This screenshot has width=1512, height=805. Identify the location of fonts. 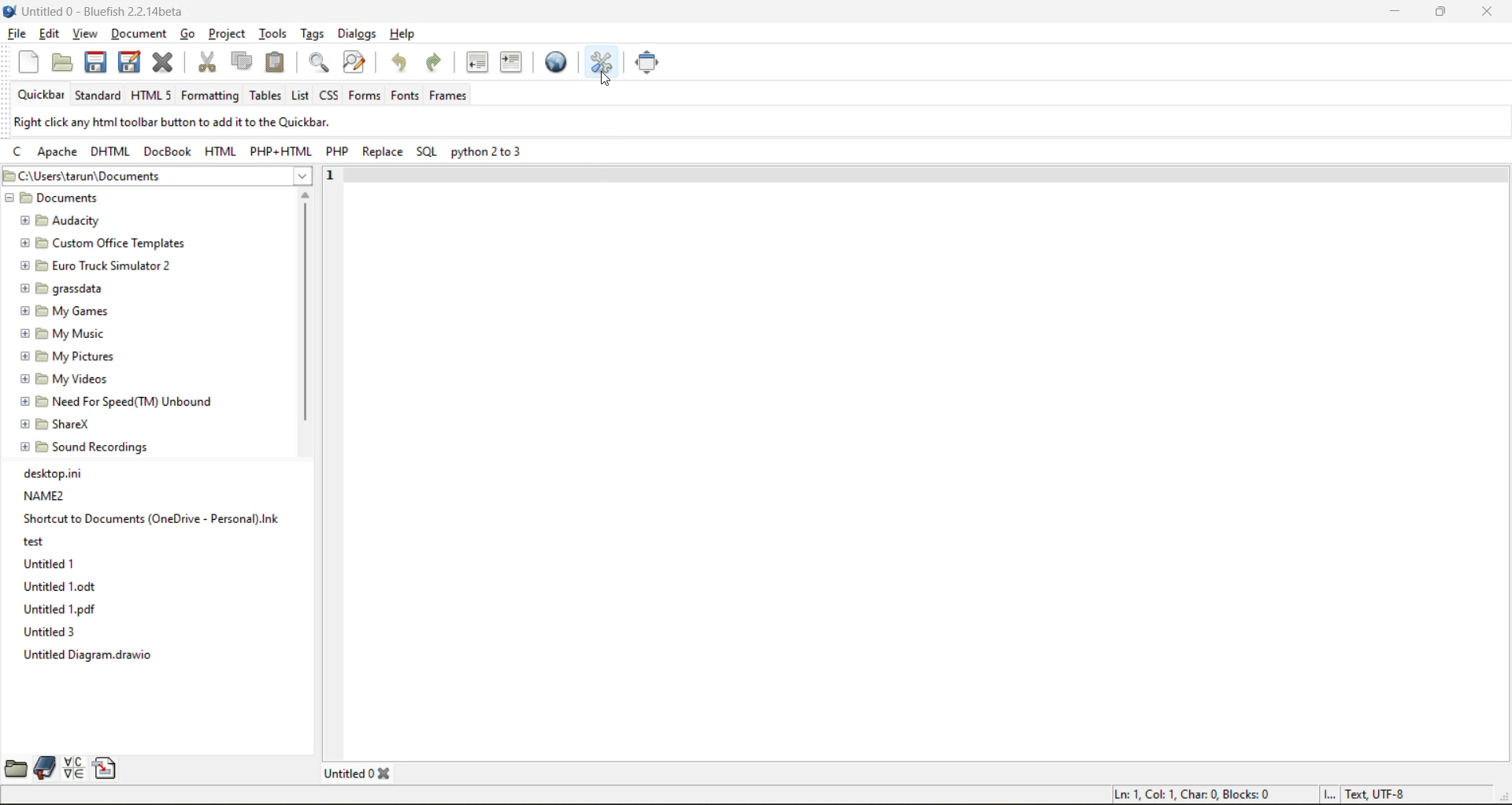
(405, 97).